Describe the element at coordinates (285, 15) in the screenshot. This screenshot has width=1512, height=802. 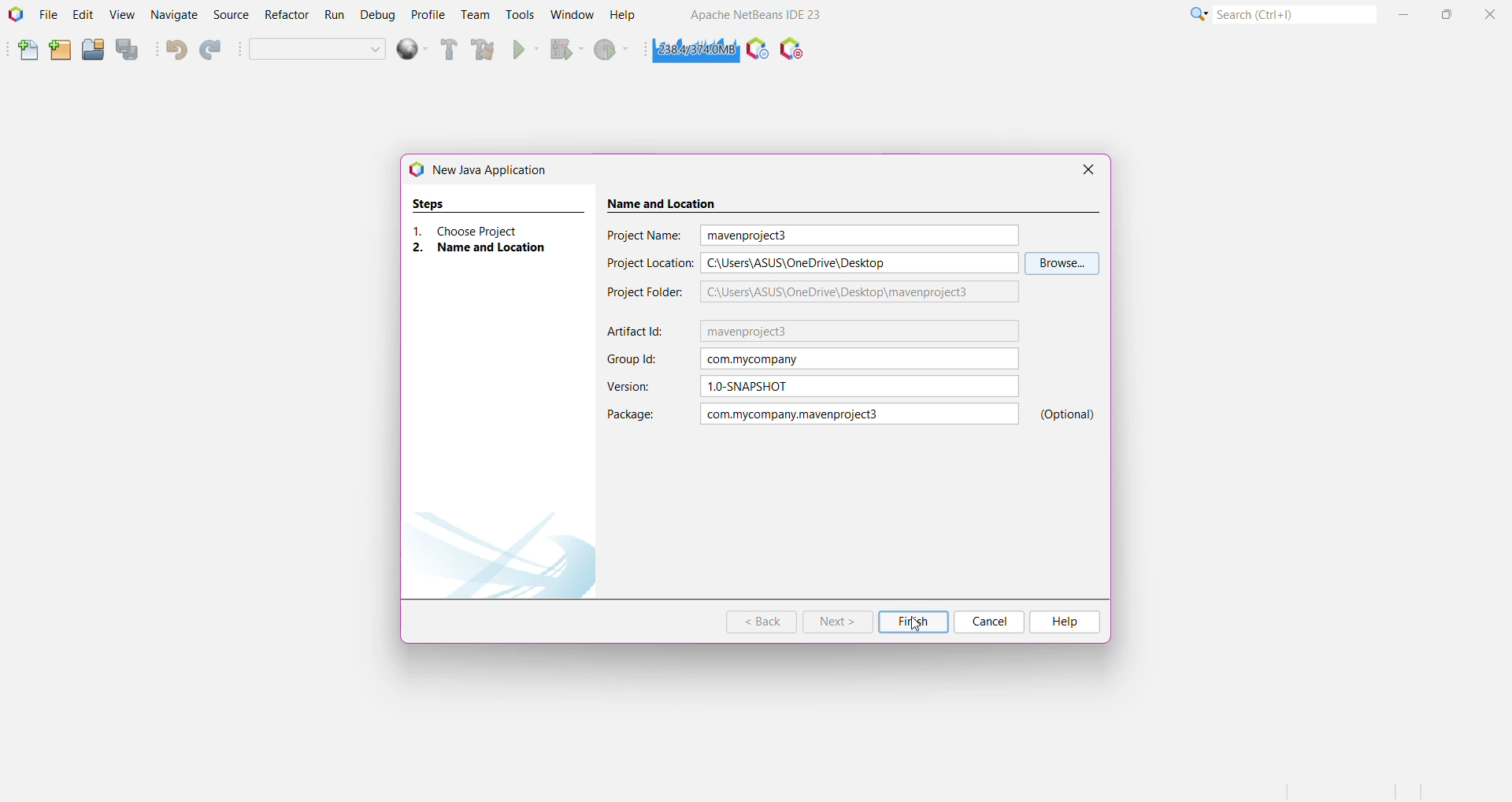
I see `Refractor` at that location.